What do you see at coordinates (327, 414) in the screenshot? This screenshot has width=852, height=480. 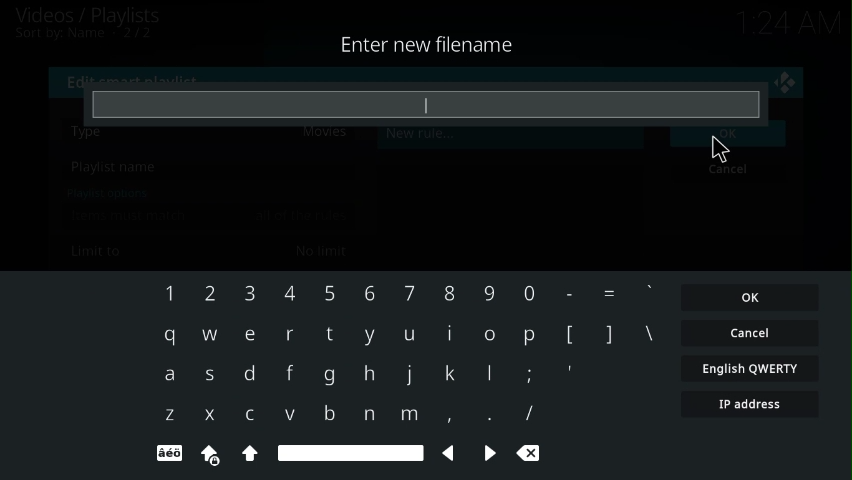 I see `b` at bounding box center [327, 414].